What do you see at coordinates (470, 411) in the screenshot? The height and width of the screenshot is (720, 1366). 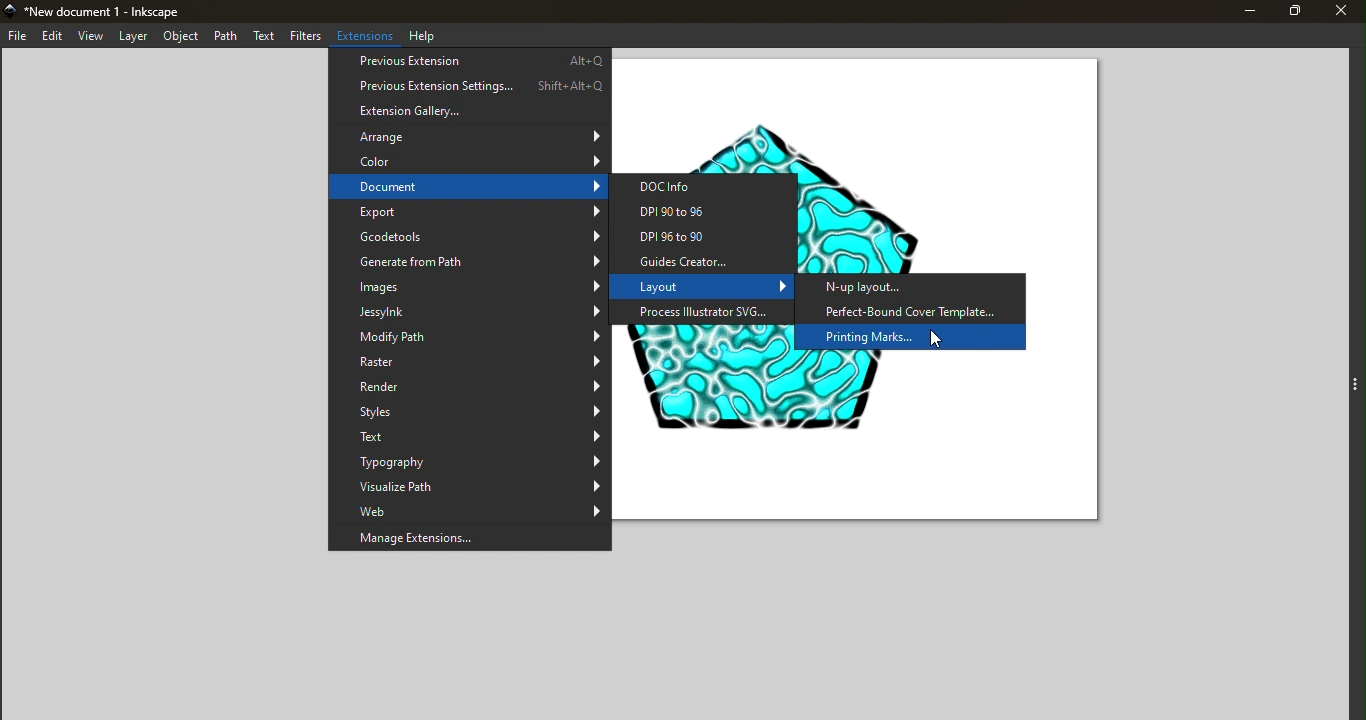 I see `Styles` at bounding box center [470, 411].